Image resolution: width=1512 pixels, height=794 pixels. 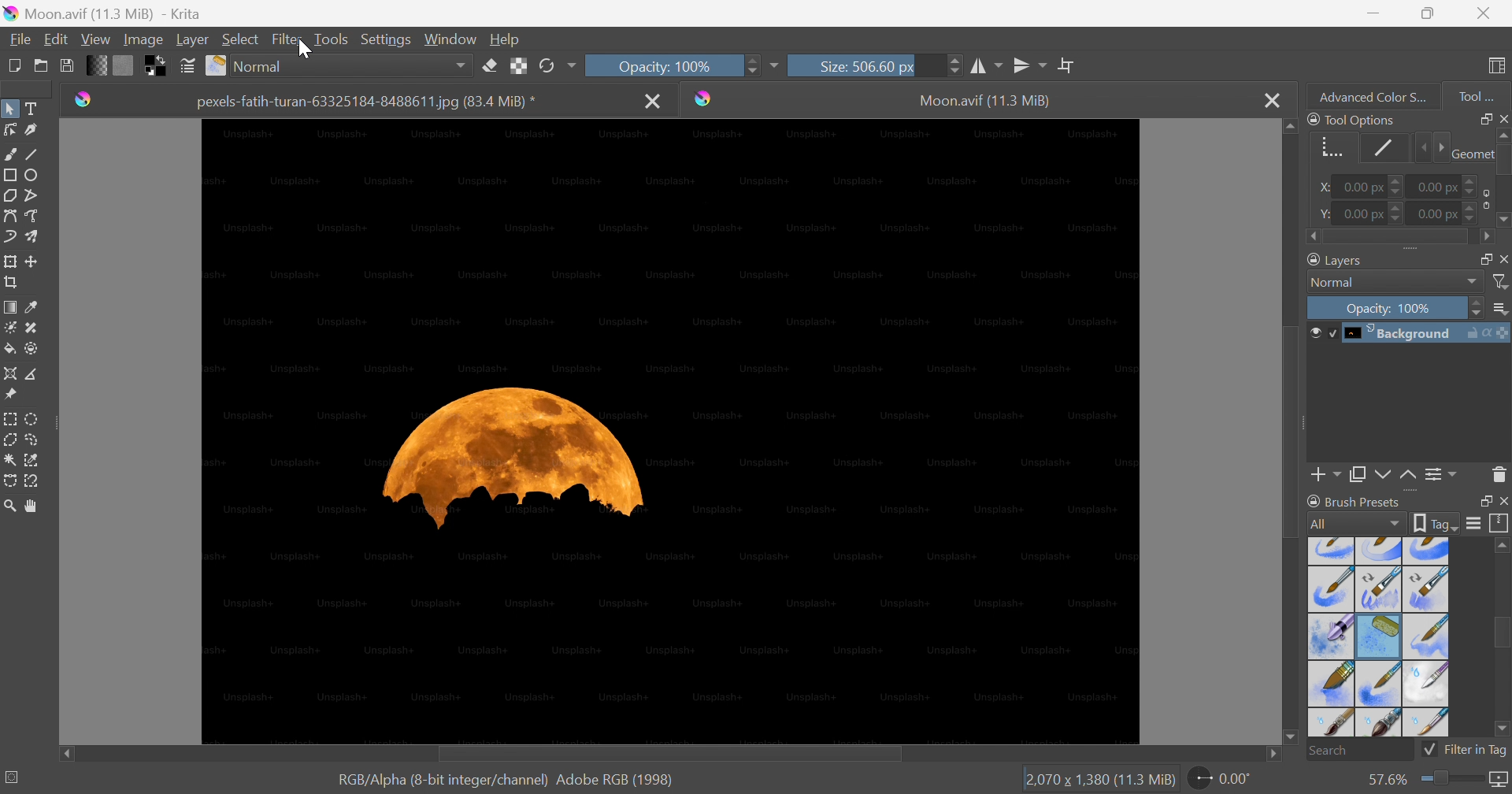 I want to click on Scroll bar, so click(x=667, y=755).